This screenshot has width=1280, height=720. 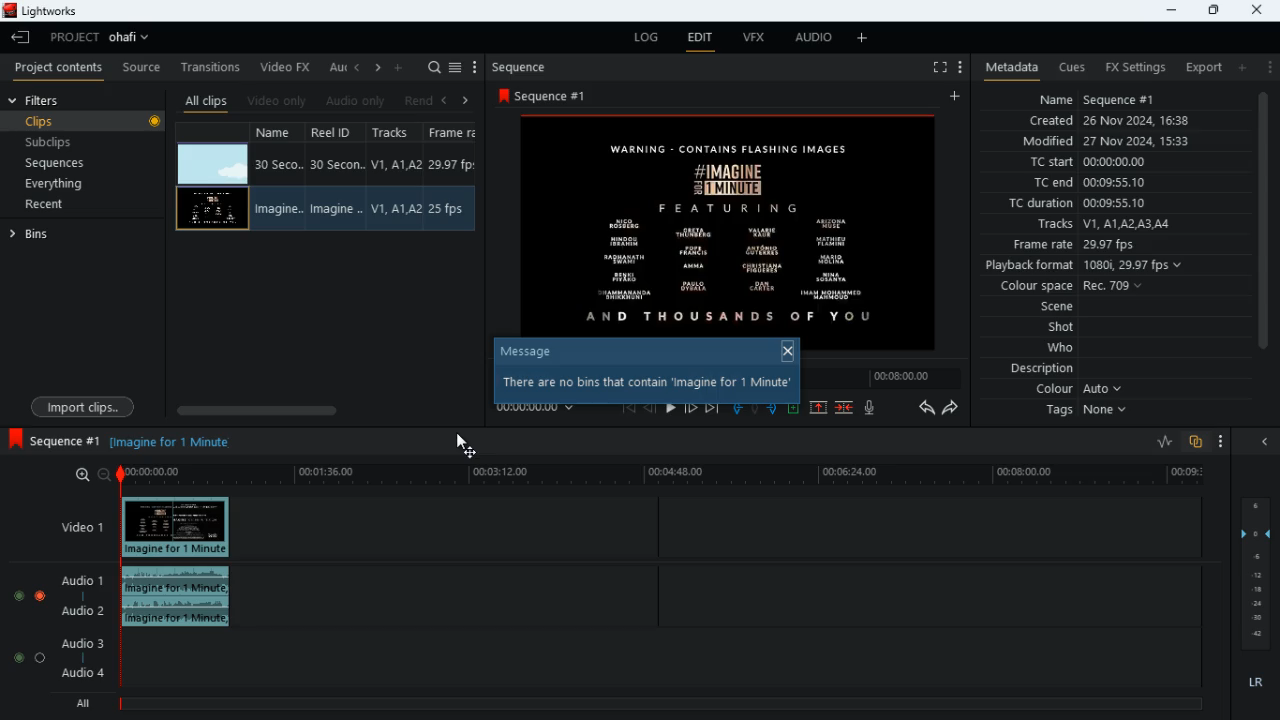 What do you see at coordinates (106, 37) in the screenshot?
I see `project` at bounding box center [106, 37].